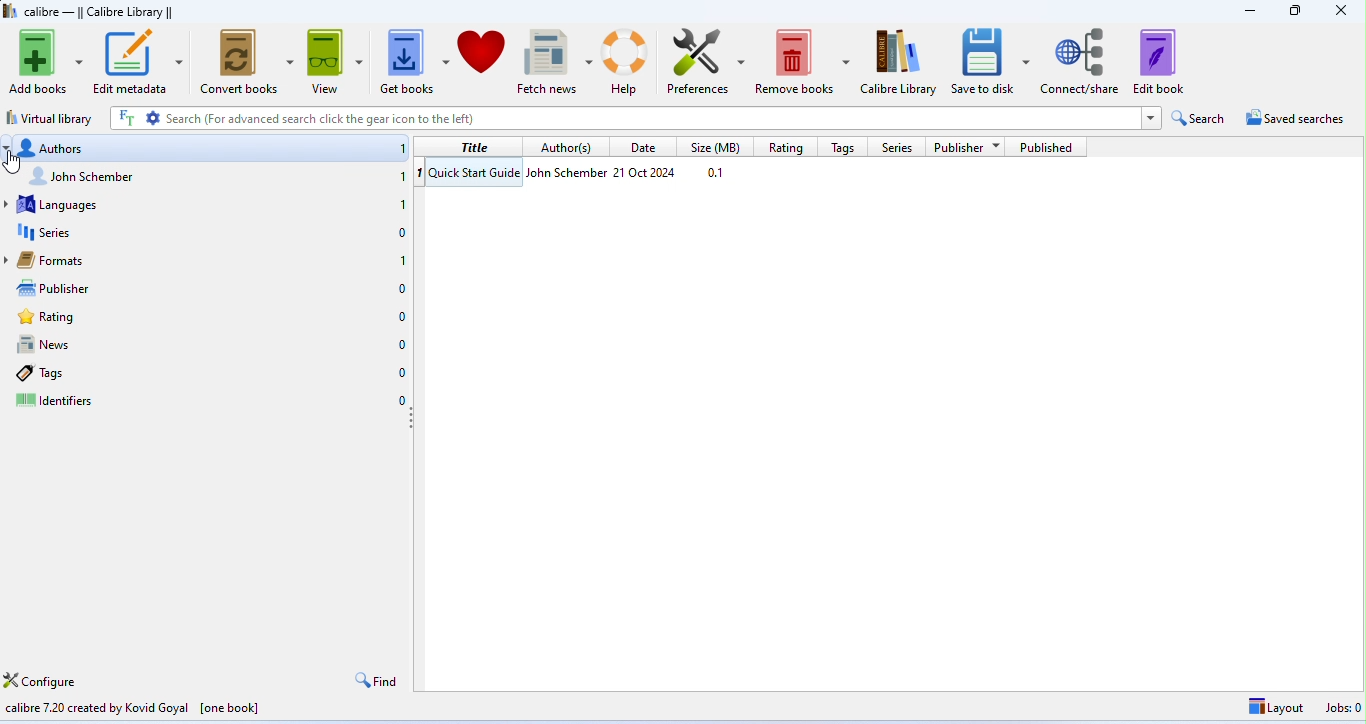 The width and height of the screenshot is (1366, 724). What do you see at coordinates (569, 147) in the screenshot?
I see `author(s)` at bounding box center [569, 147].